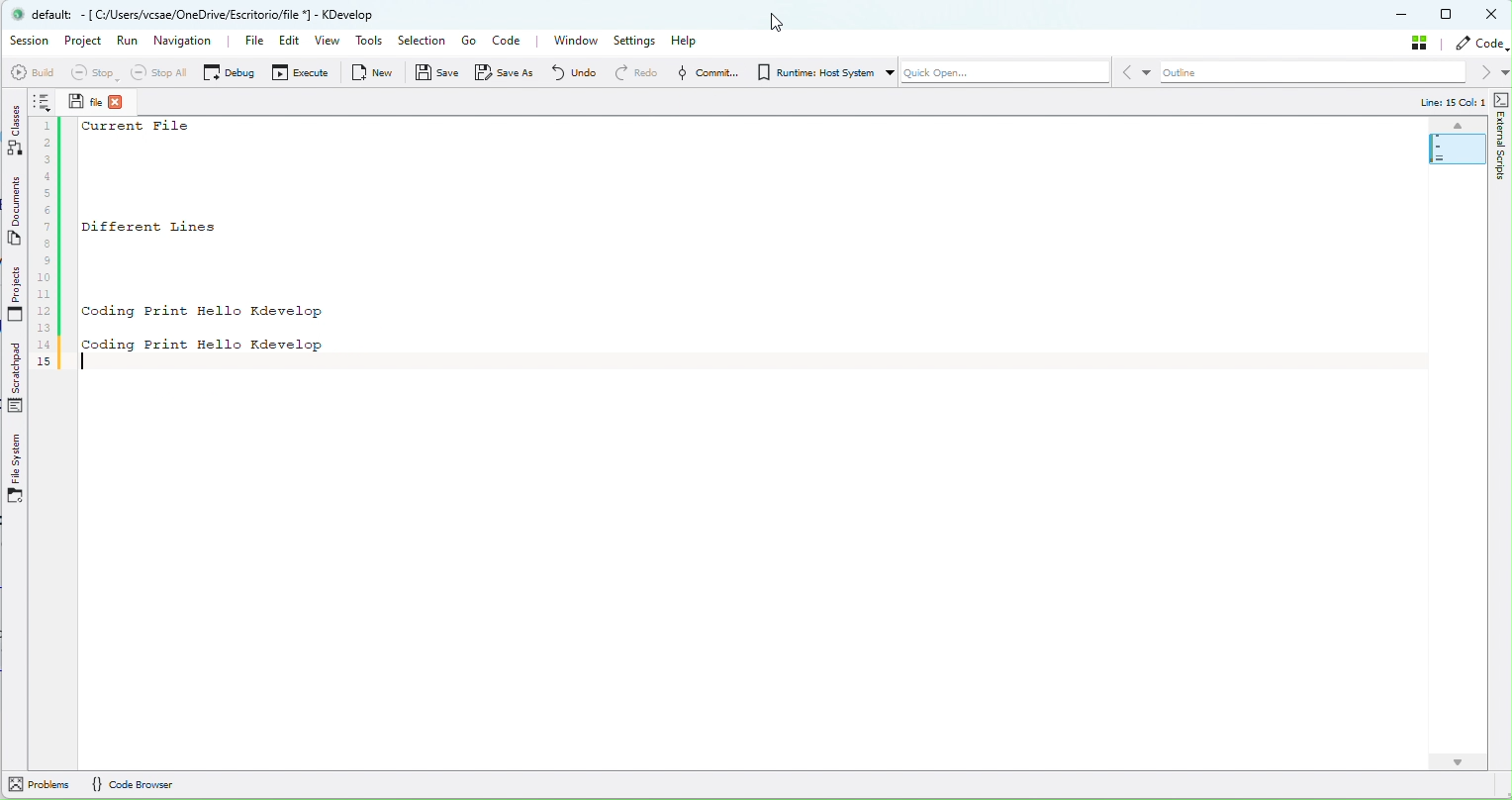  I want to click on Line: 12 Col: 28, so click(1441, 103).